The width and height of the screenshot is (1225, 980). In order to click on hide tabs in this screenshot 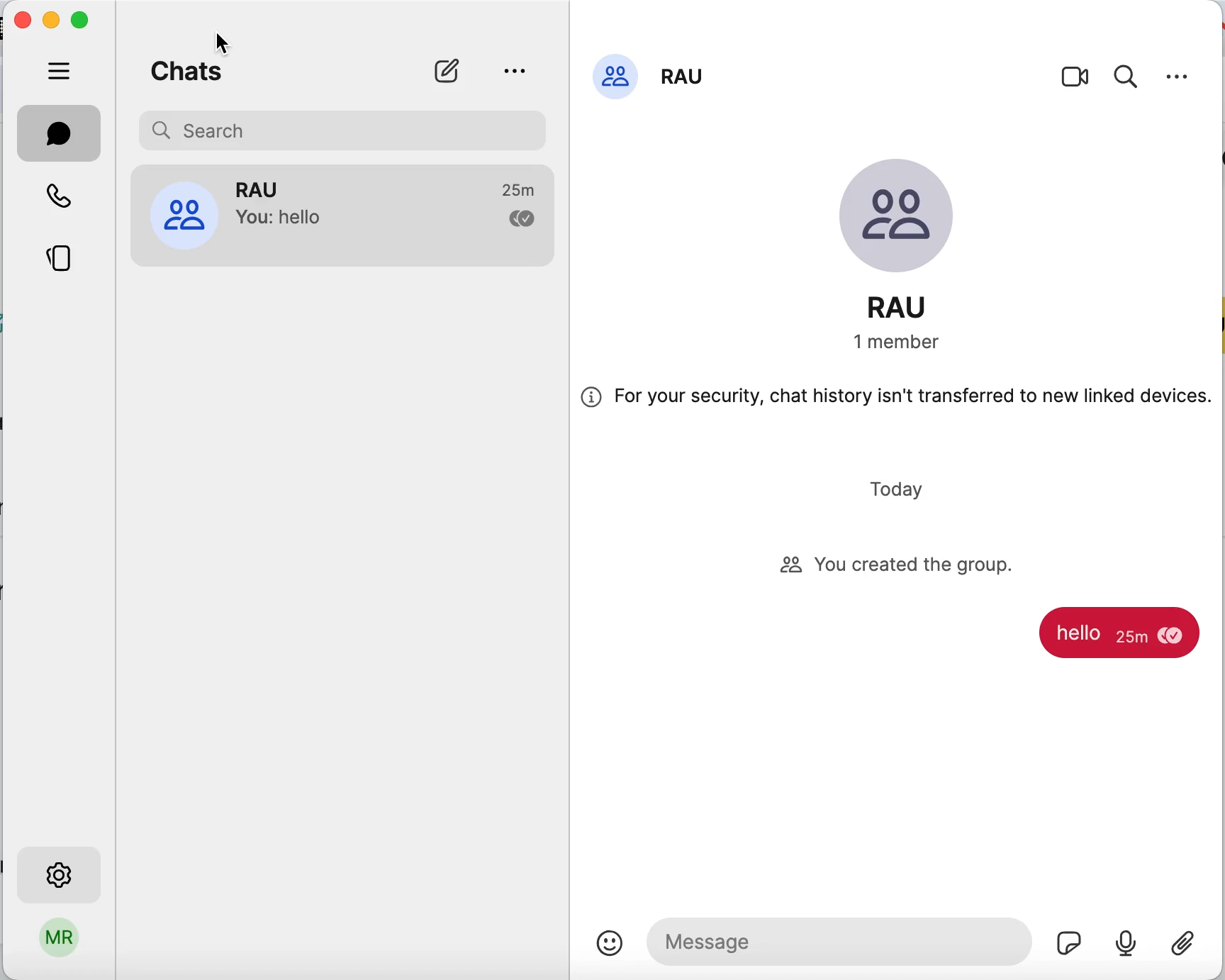, I will do `click(60, 70)`.